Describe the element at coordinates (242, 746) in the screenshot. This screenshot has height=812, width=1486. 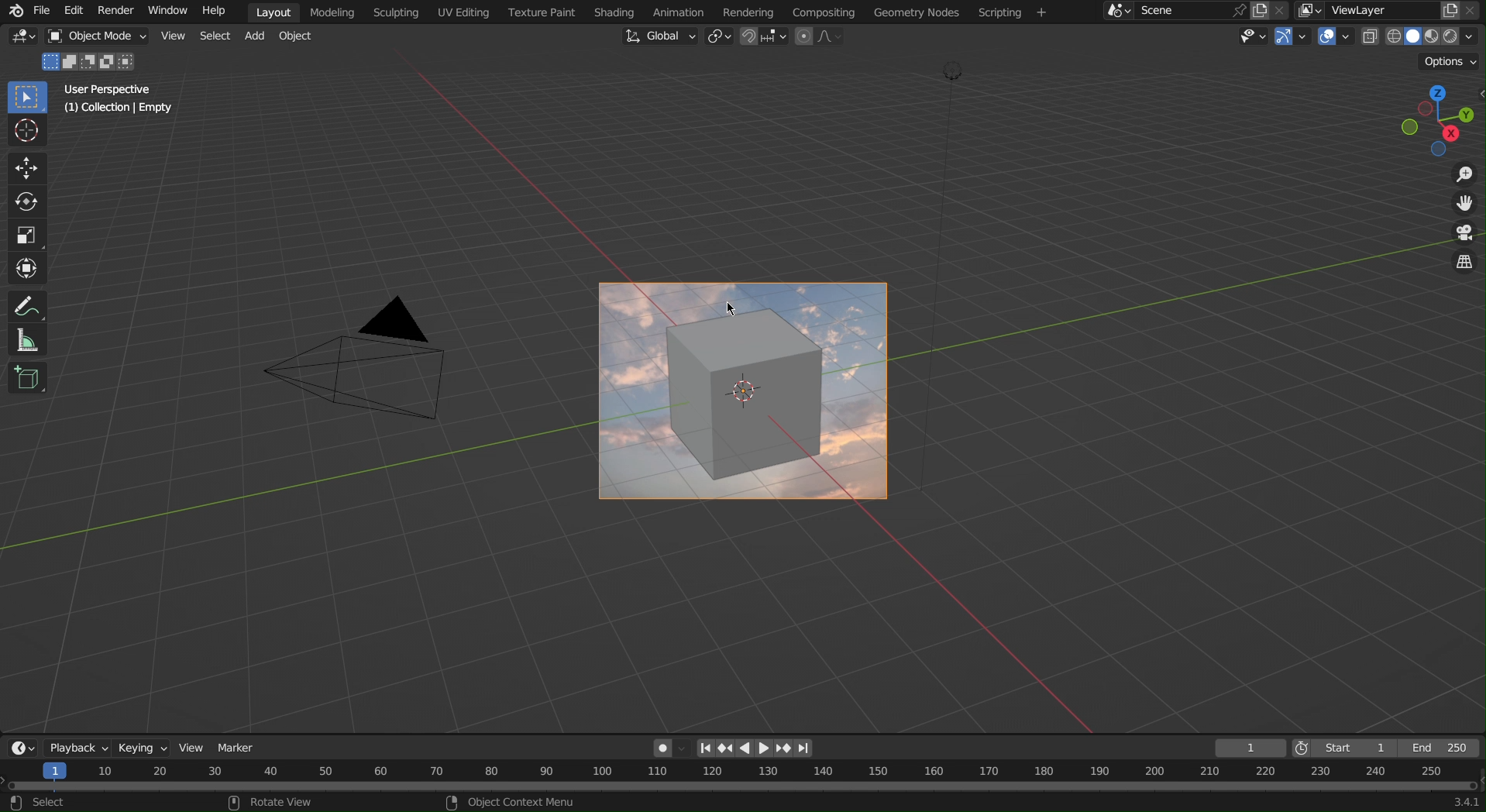
I see `Marker` at that location.